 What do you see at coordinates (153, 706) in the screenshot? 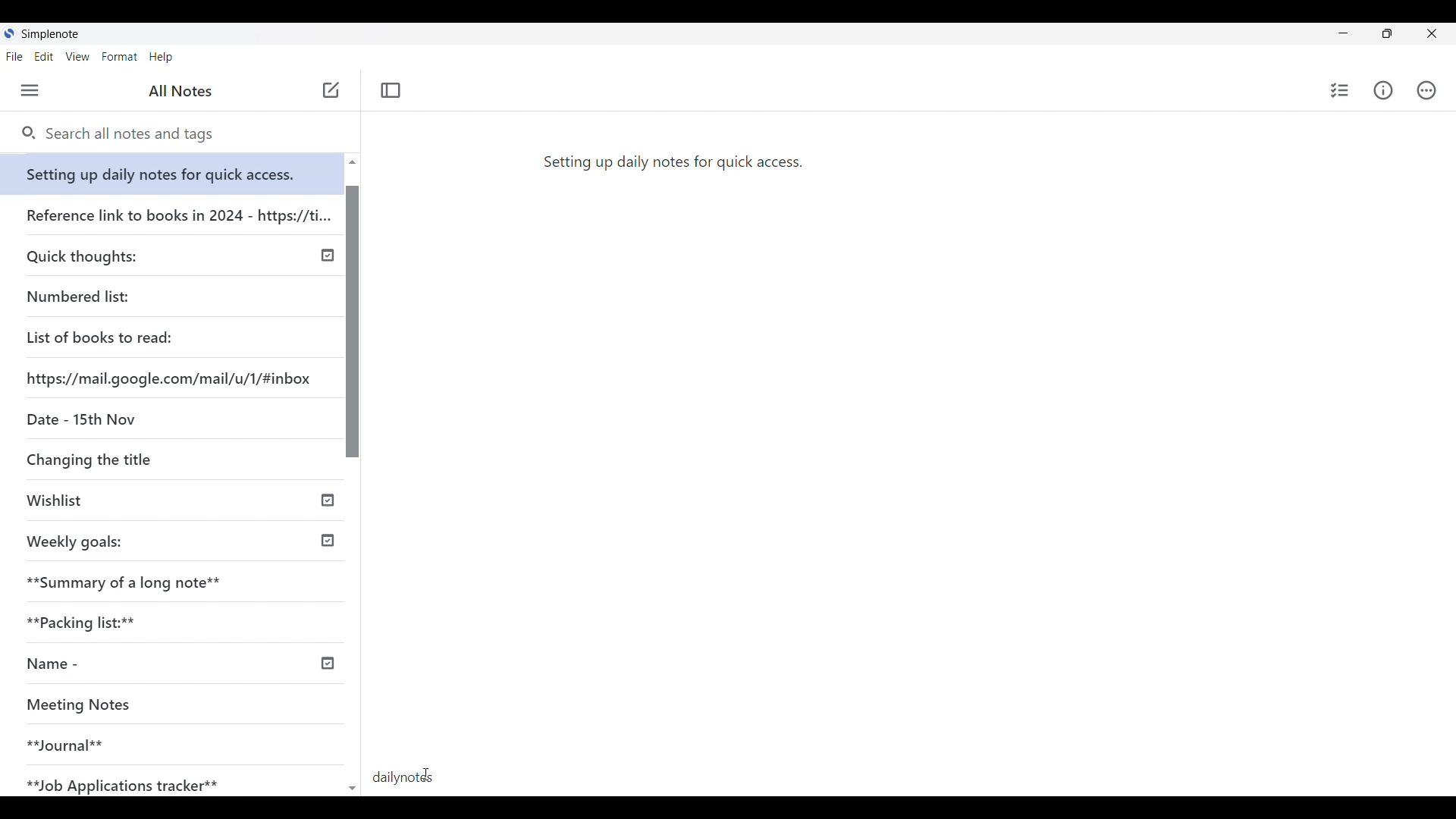
I see `Meeting Notes` at bounding box center [153, 706].